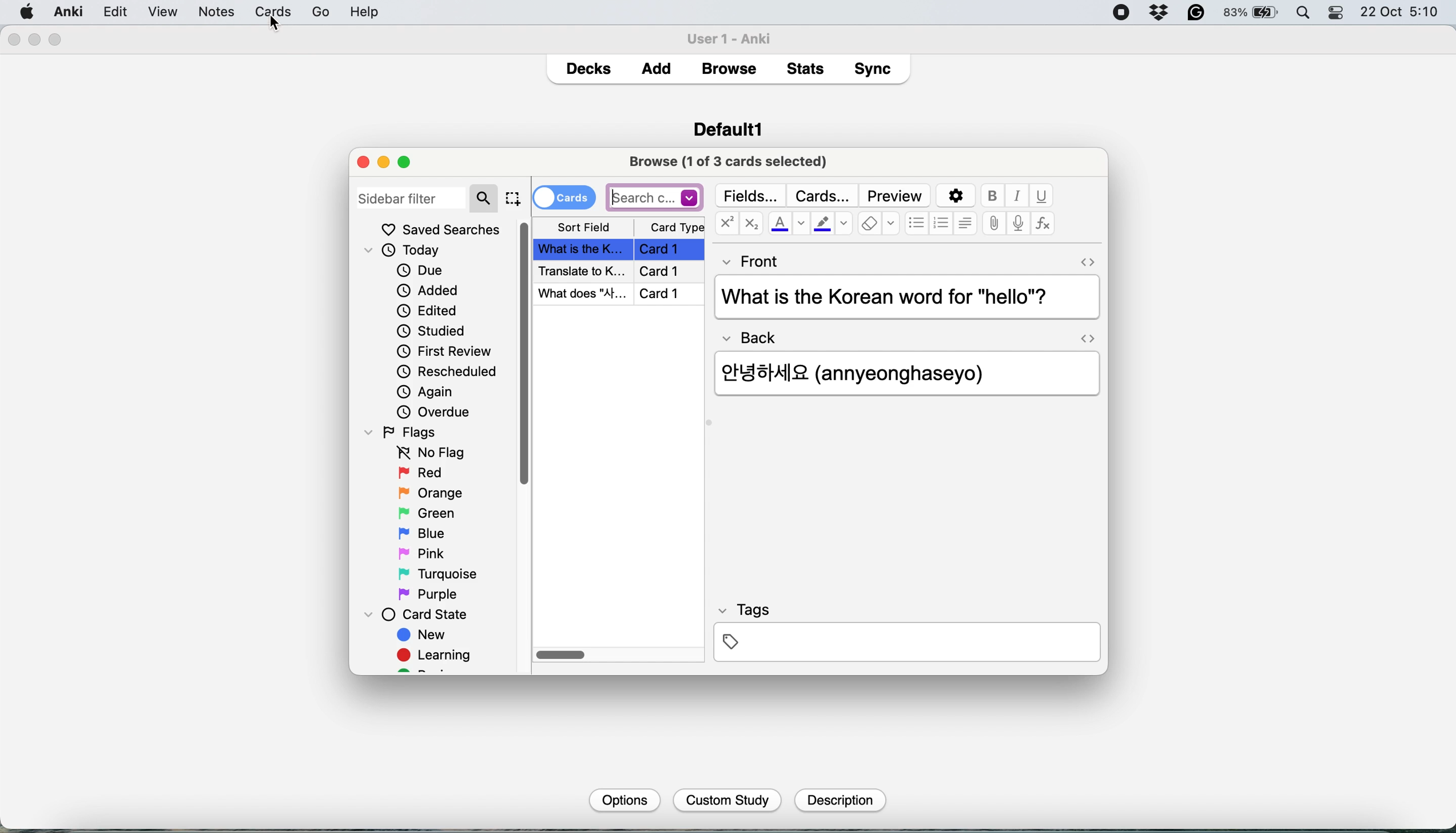  I want to click on due, so click(420, 270).